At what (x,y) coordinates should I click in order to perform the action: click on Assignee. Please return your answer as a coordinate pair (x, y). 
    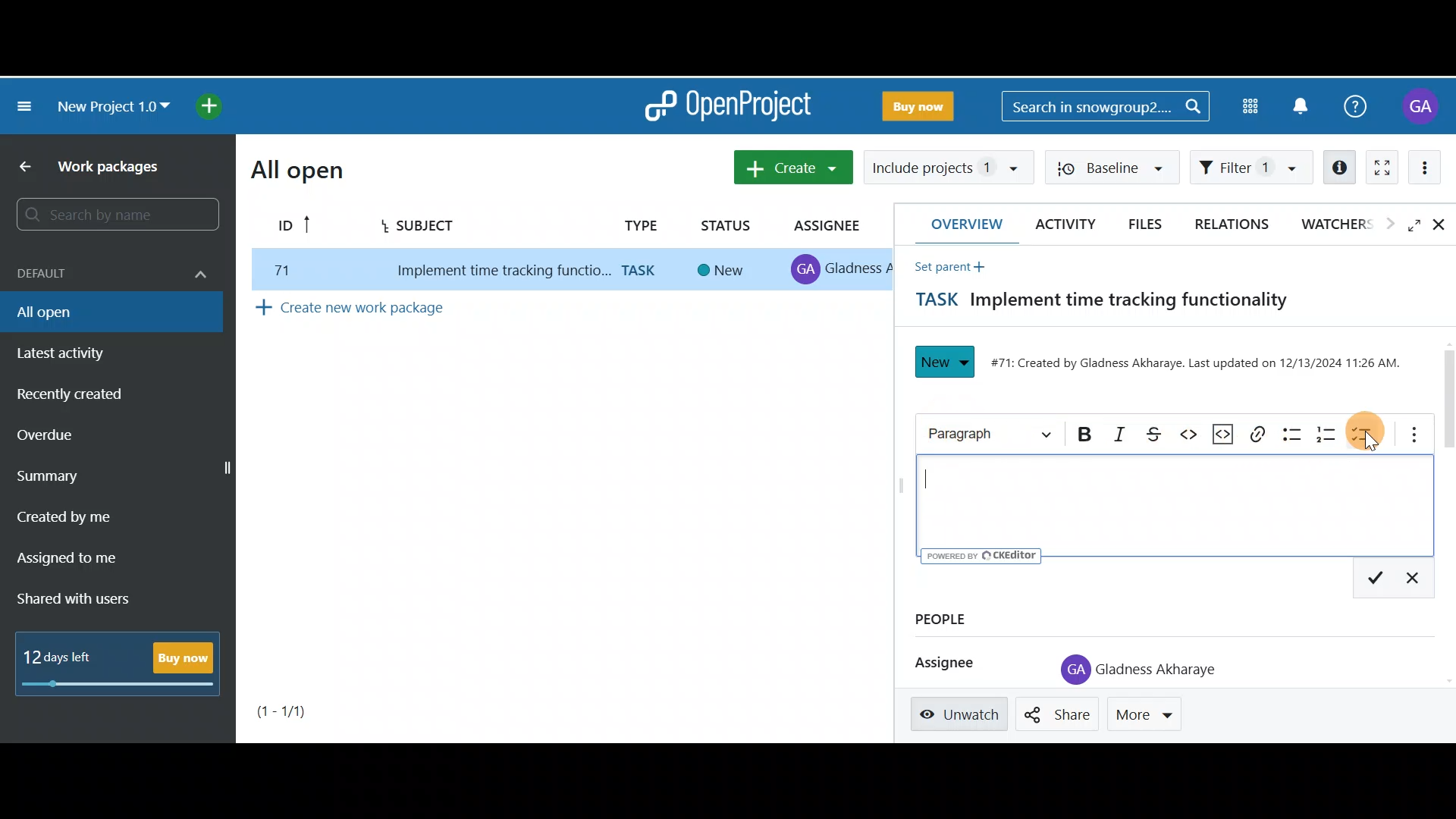
    Looking at the image, I should click on (831, 226).